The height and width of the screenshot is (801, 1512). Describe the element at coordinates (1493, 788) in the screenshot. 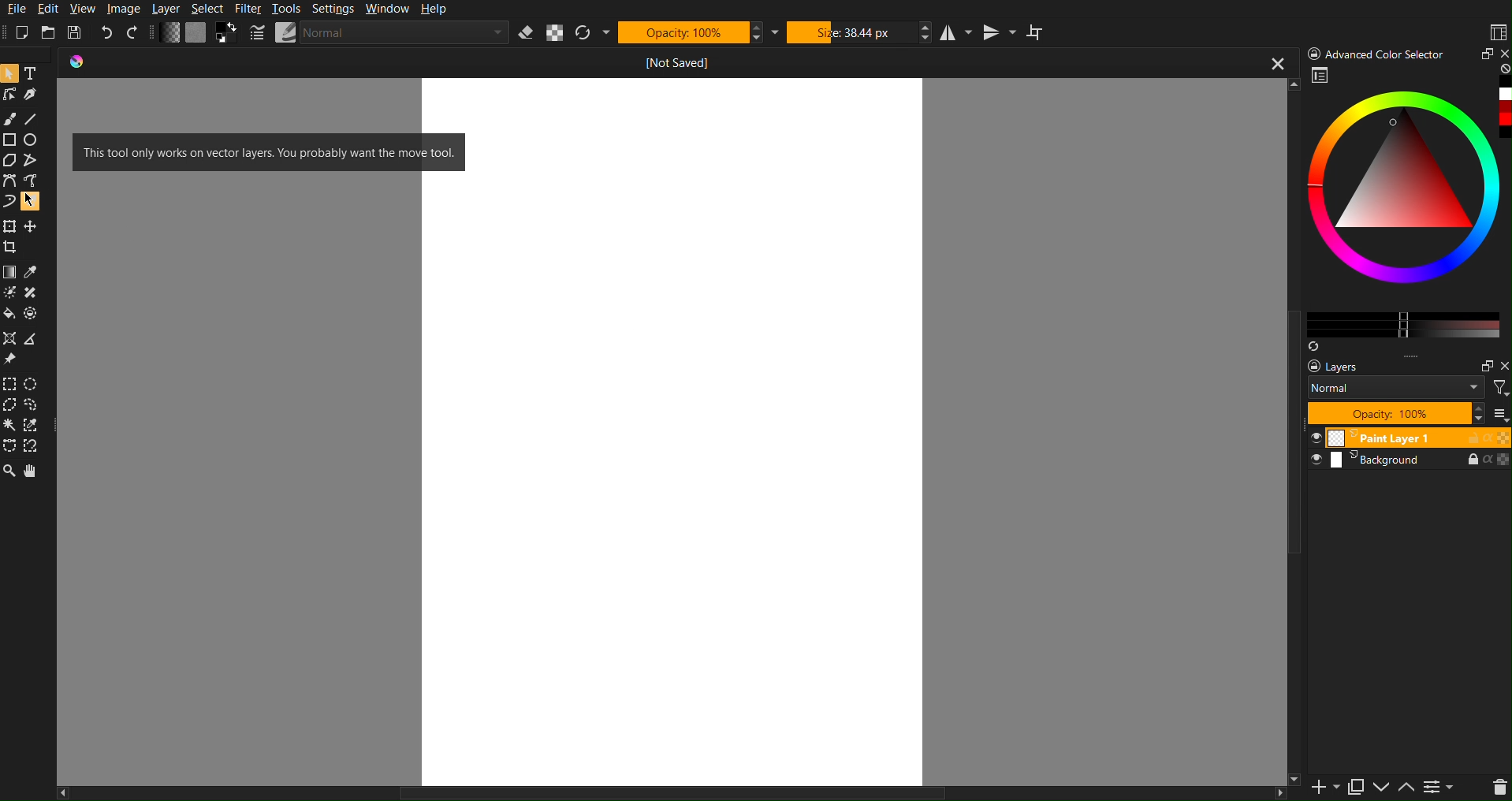

I see `del` at that location.